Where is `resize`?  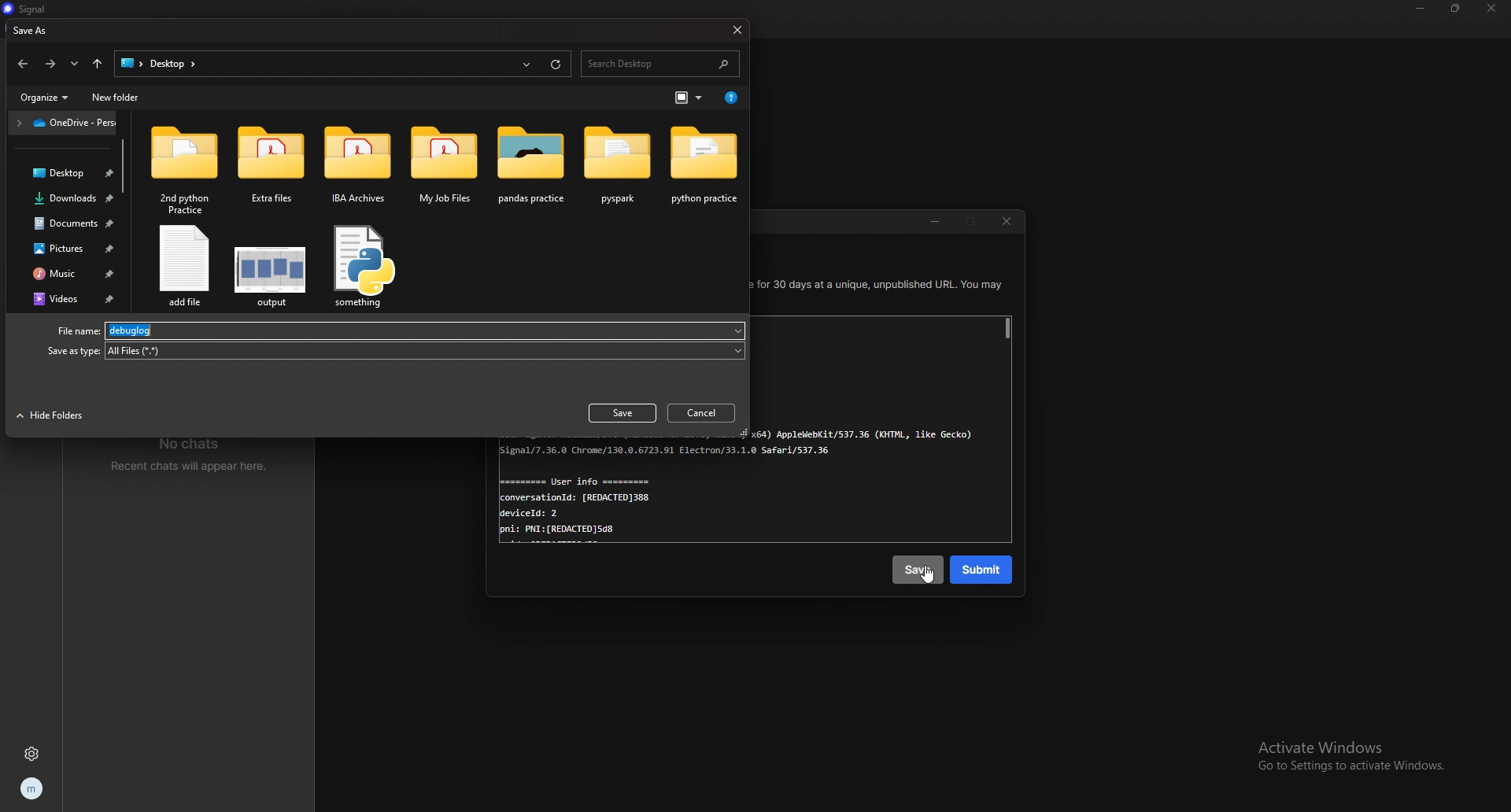
resize is located at coordinates (1455, 7).